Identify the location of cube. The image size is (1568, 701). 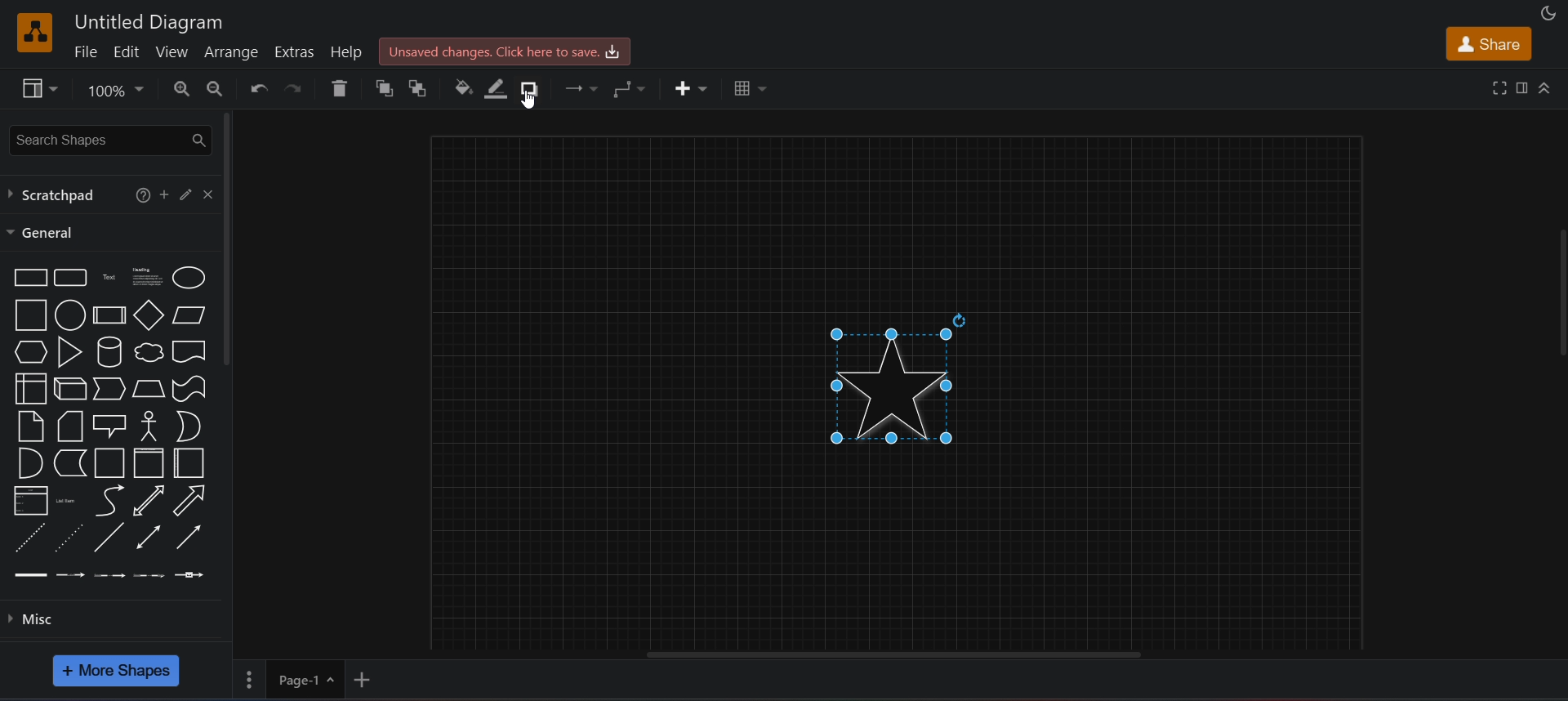
(70, 390).